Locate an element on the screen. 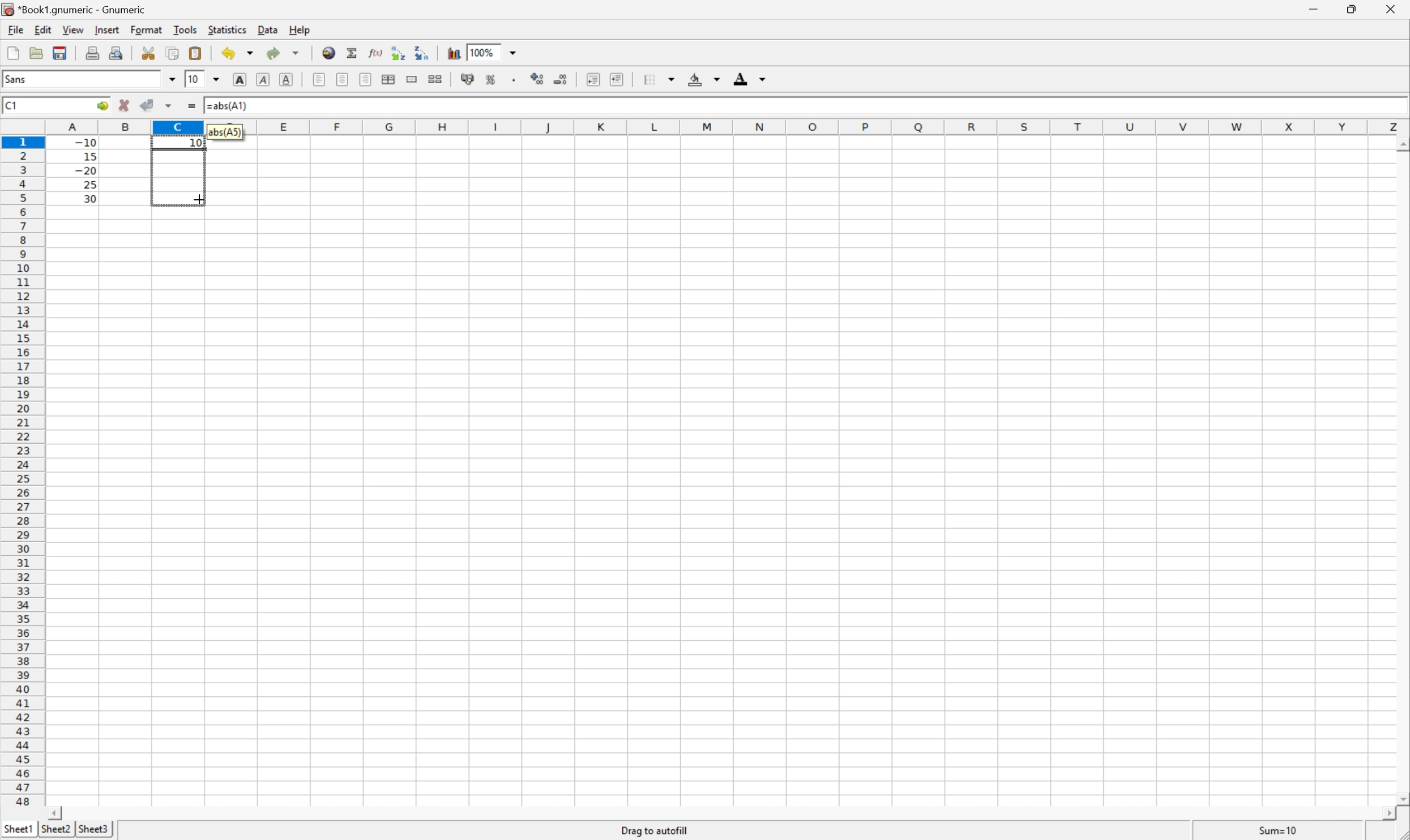  abs(A1) is located at coordinates (226, 131).